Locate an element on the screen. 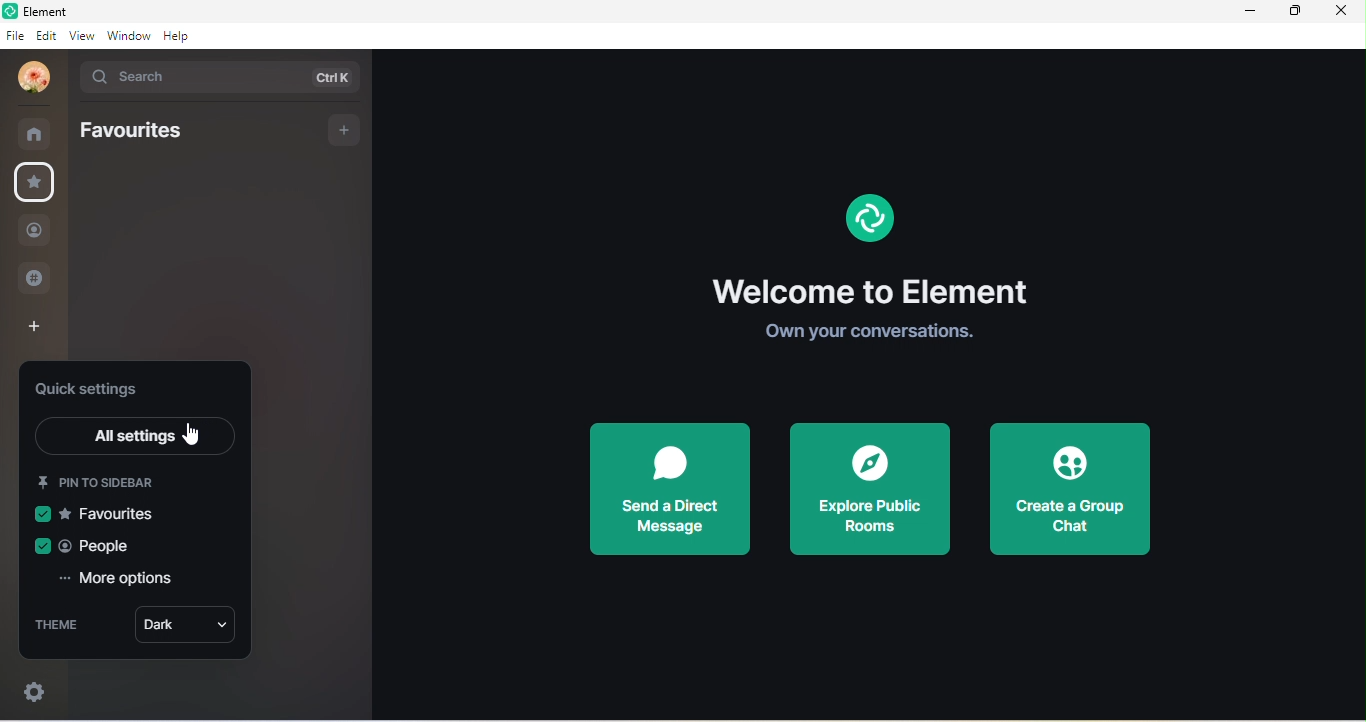  pin to sidebar is located at coordinates (100, 480).